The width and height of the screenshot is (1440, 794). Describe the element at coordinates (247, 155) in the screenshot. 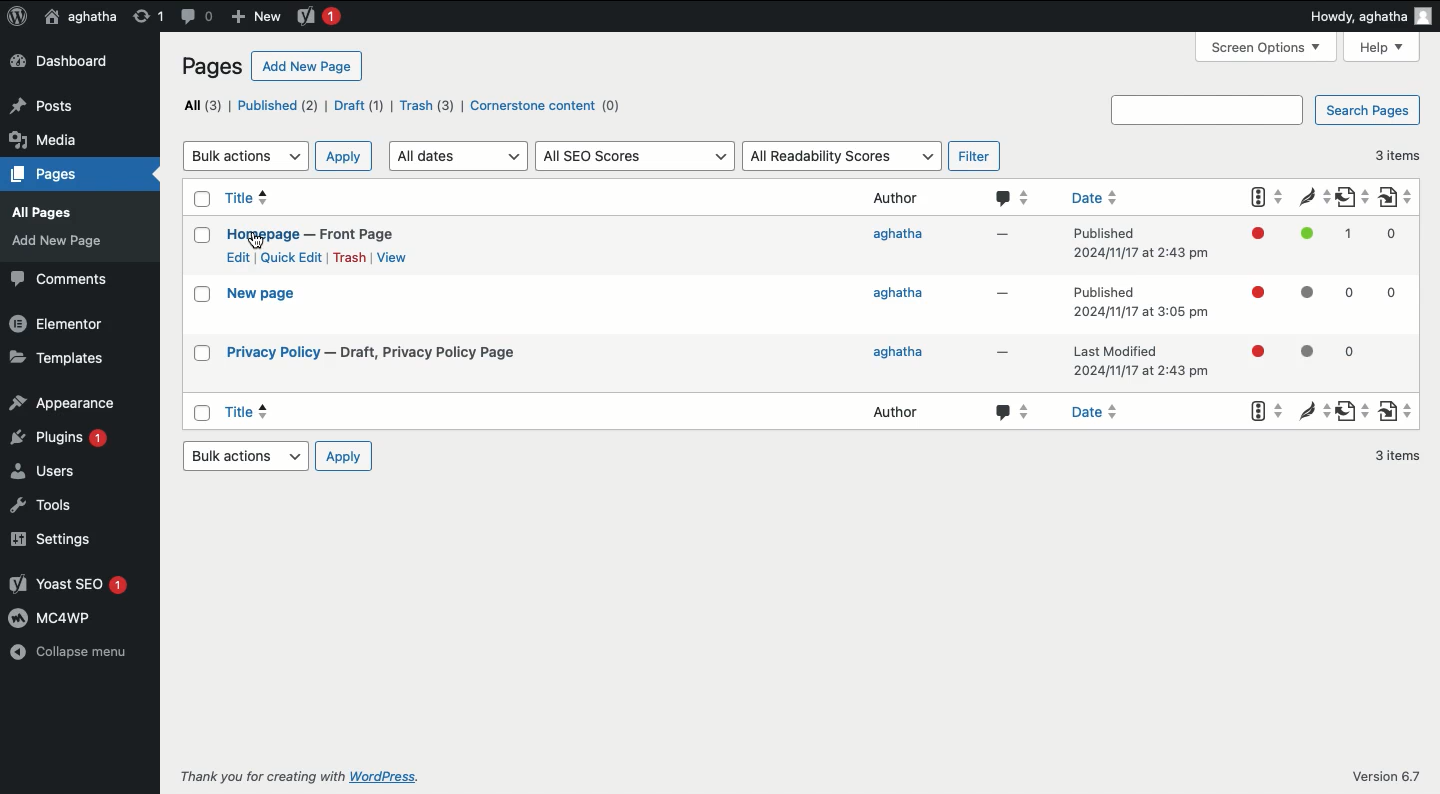

I see `Bulk actions` at that location.